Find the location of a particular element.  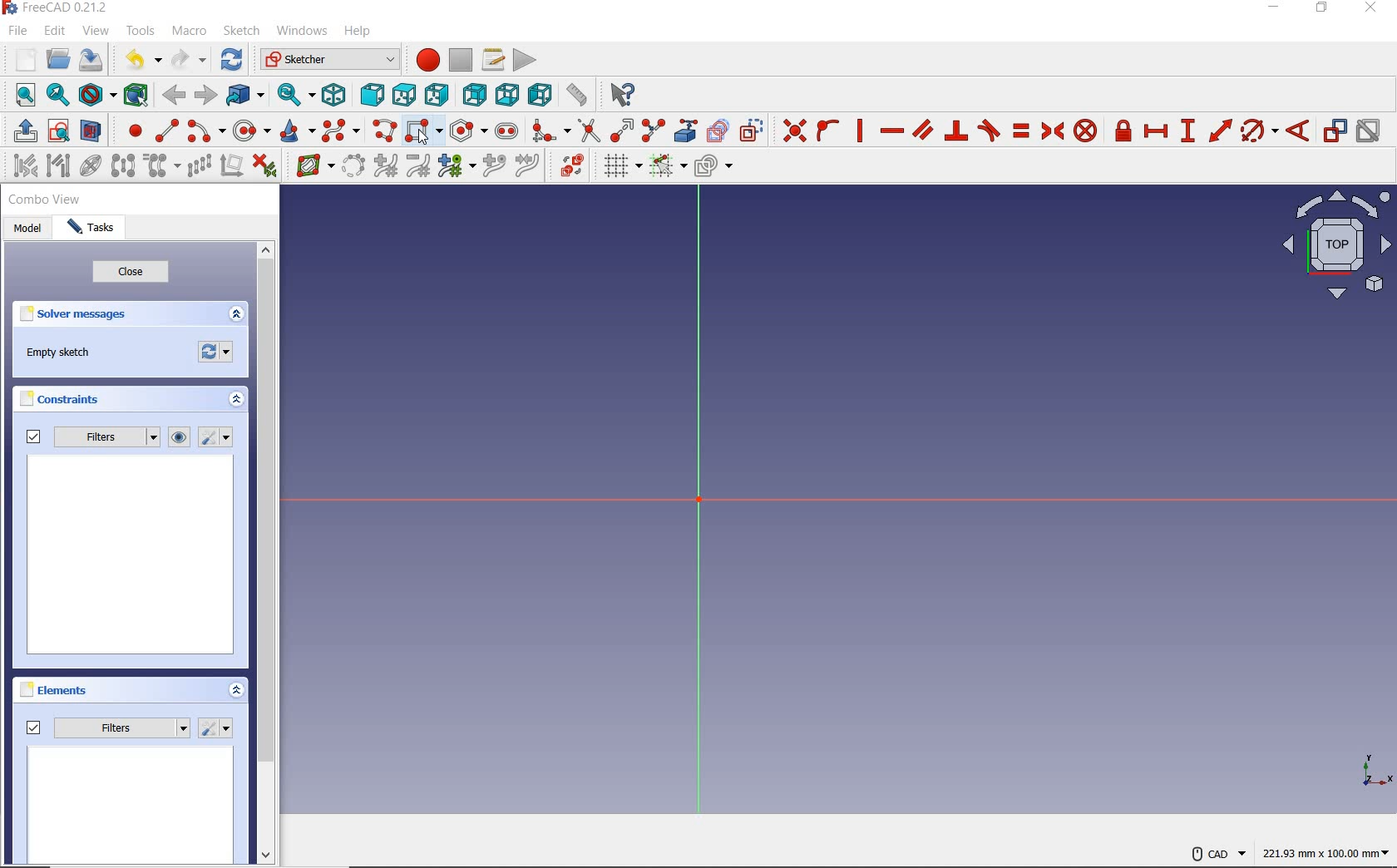

forward is located at coordinates (206, 96).